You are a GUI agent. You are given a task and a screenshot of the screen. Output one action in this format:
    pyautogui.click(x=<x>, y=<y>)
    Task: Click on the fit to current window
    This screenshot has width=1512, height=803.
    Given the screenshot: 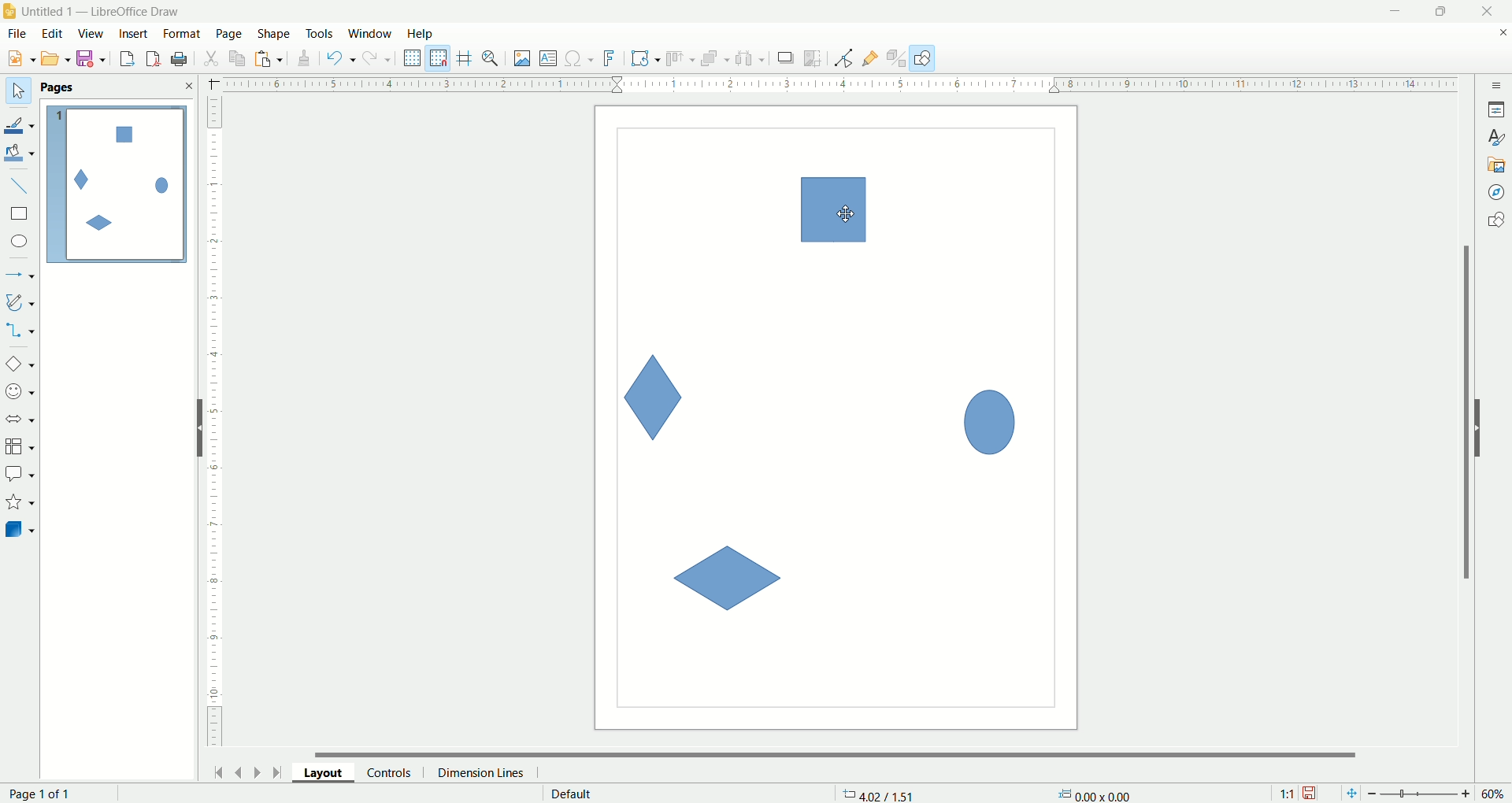 What is the action you would take?
    pyautogui.click(x=1350, y=794)
    